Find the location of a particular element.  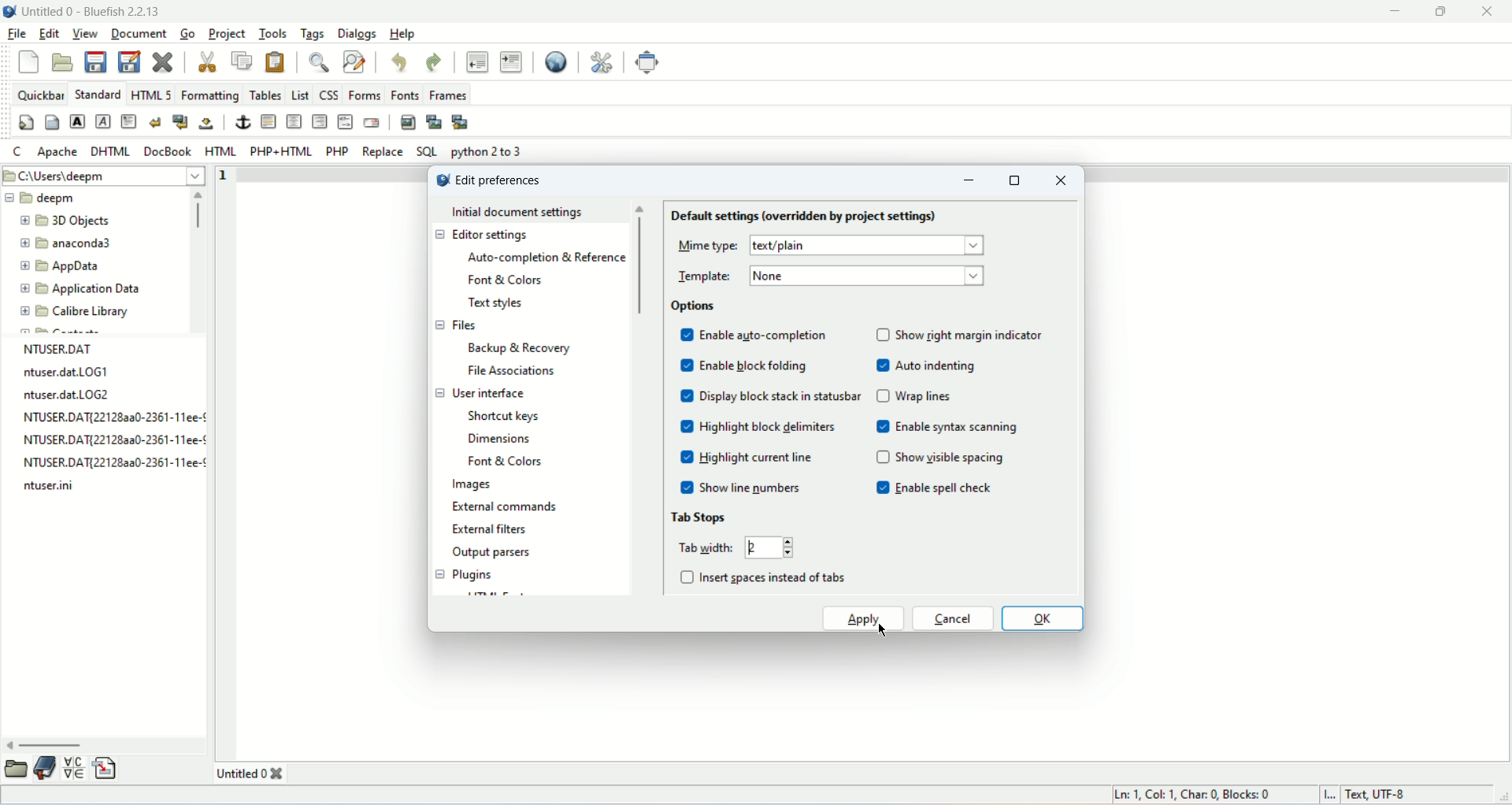

font and color is located at coordinates (509, 280).